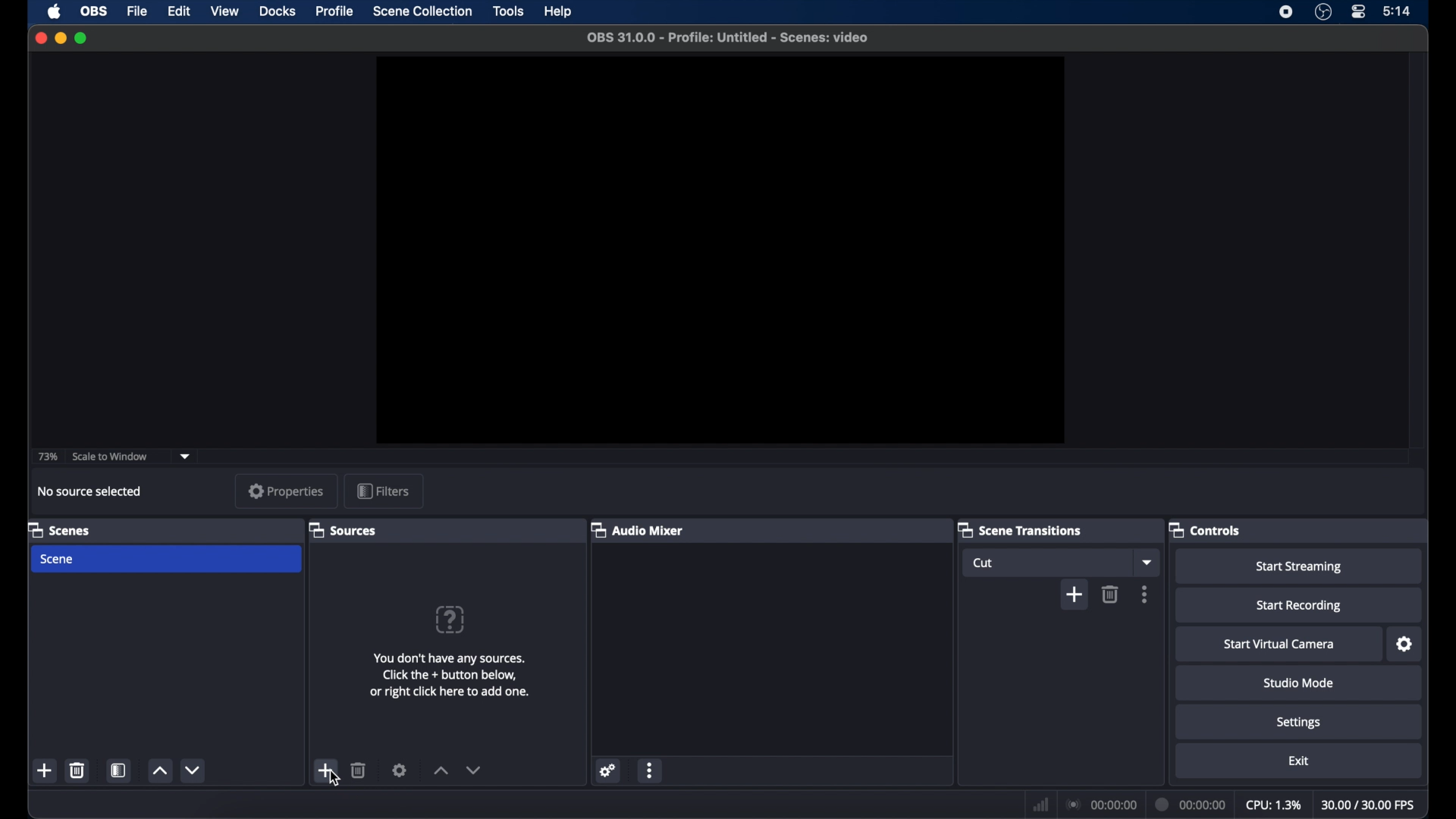 This screenshot has width=1456, height=819. Describe the element at coordinates (90, 491) in the screenshot. I see `no source selected` at that location.